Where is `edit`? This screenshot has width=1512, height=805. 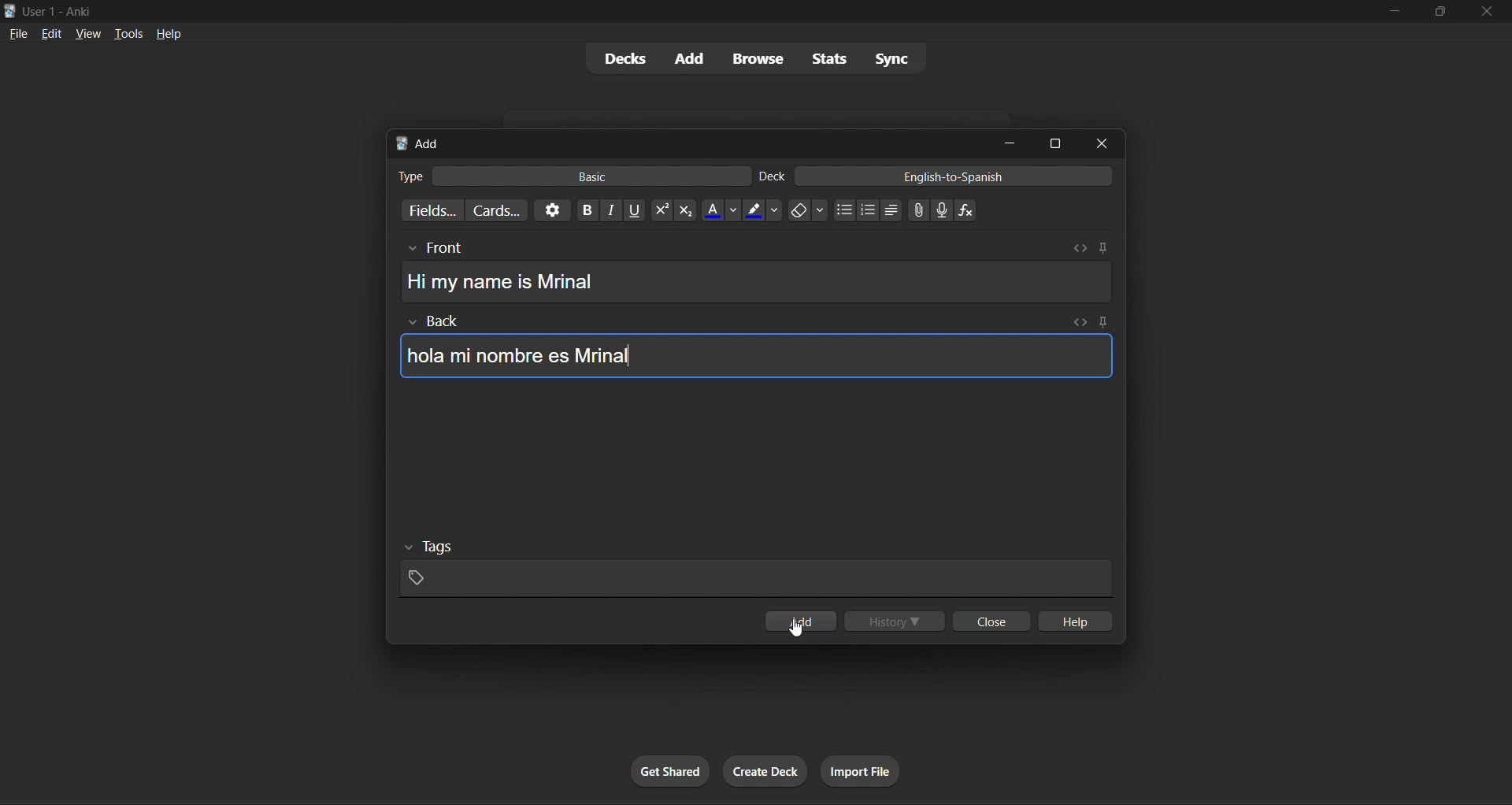
edit is located at coordinates (47, 31).